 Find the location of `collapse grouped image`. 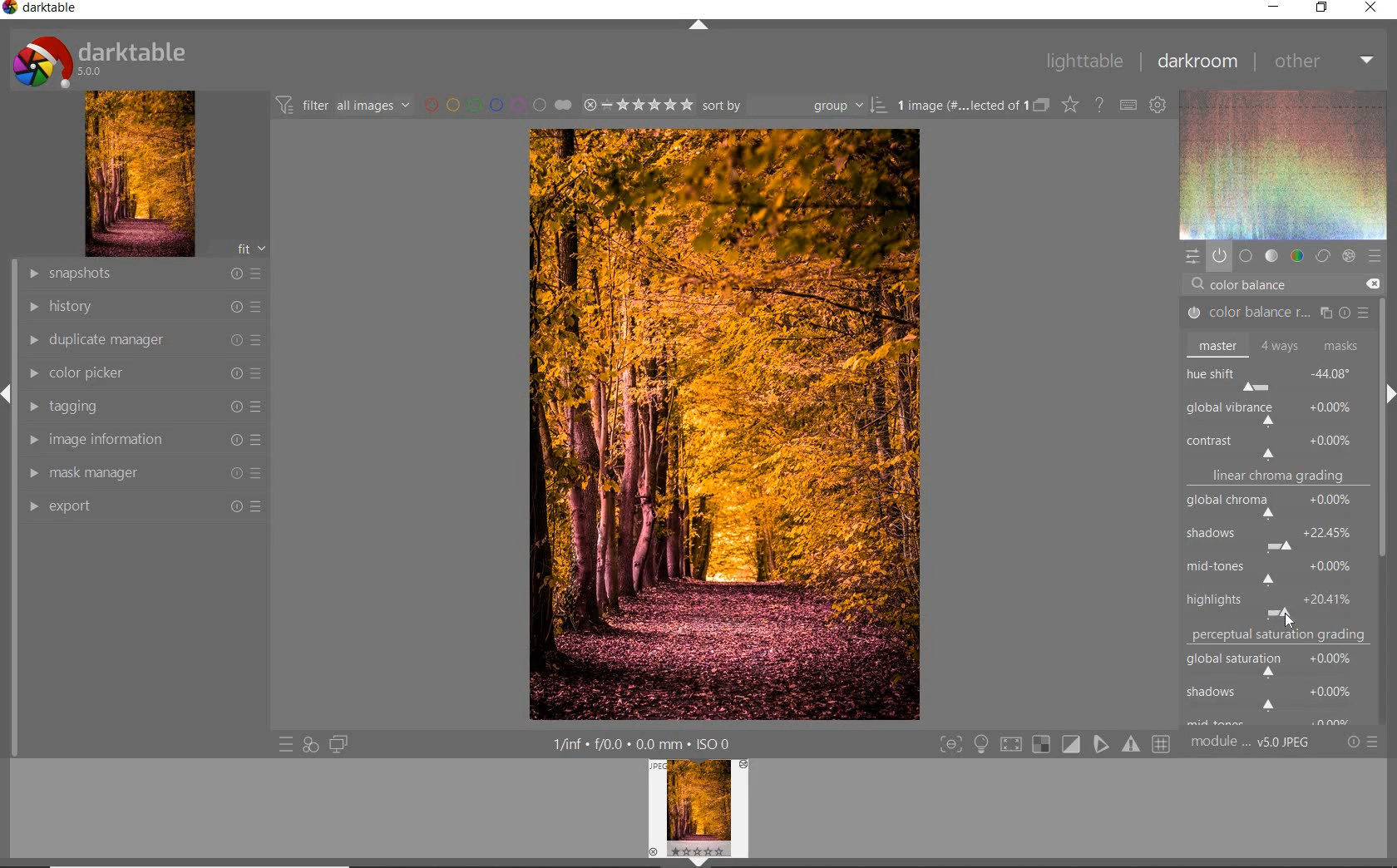

collapse grouped image is located at coordinates (1041, 106).